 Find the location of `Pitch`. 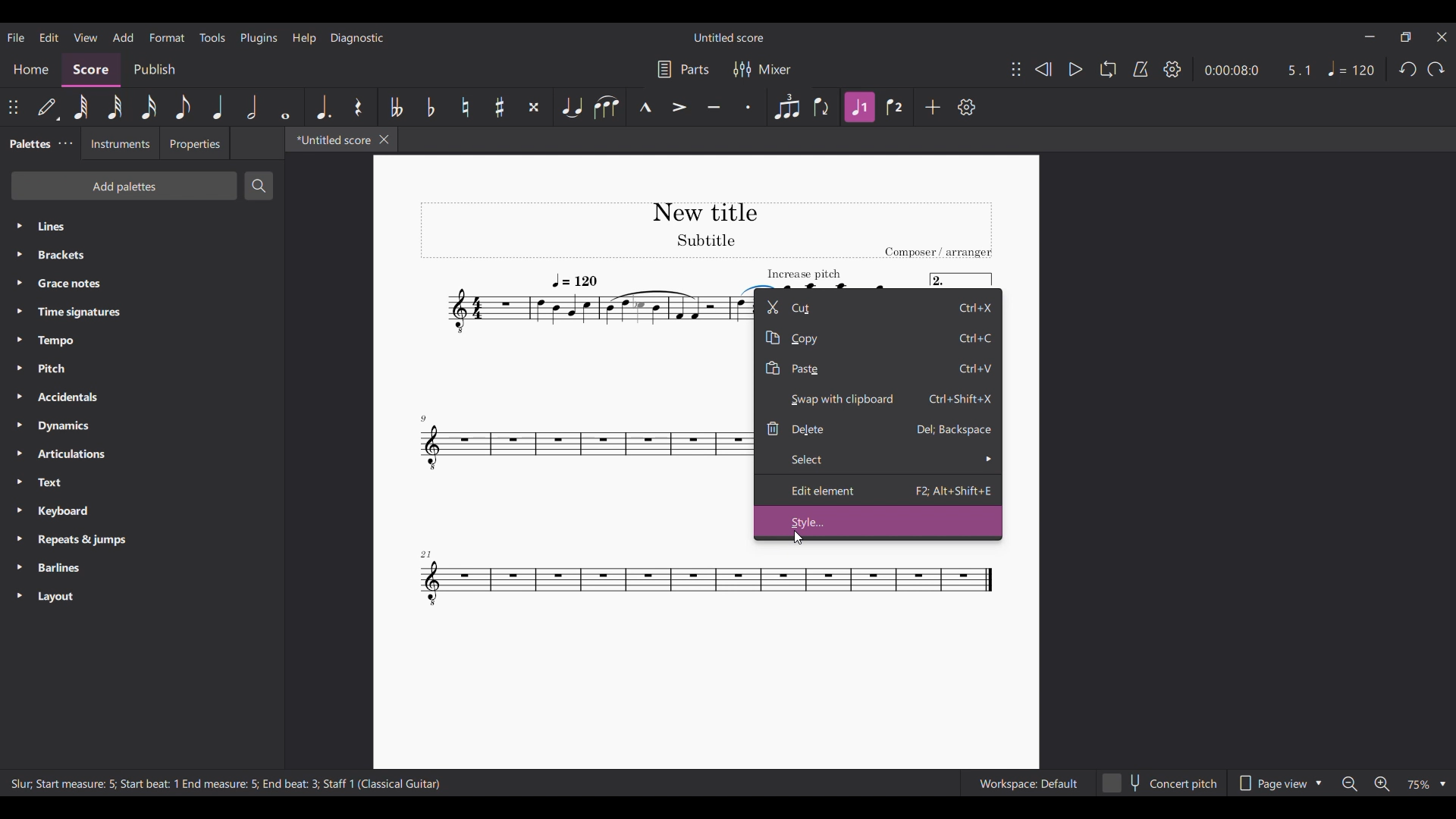

Pitch is located at coordinates (142, 369).